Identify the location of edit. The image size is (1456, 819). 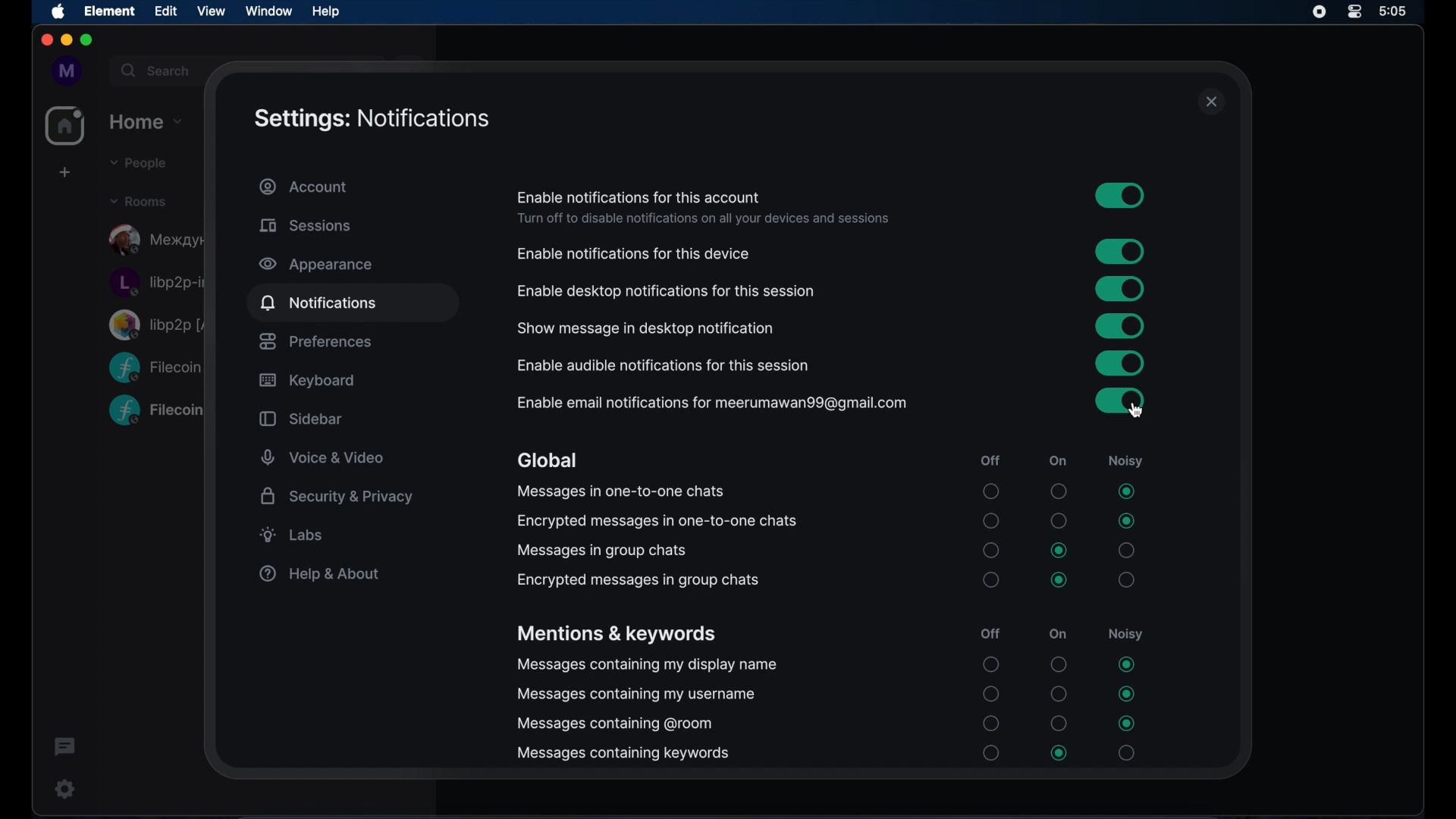
(165, 11).